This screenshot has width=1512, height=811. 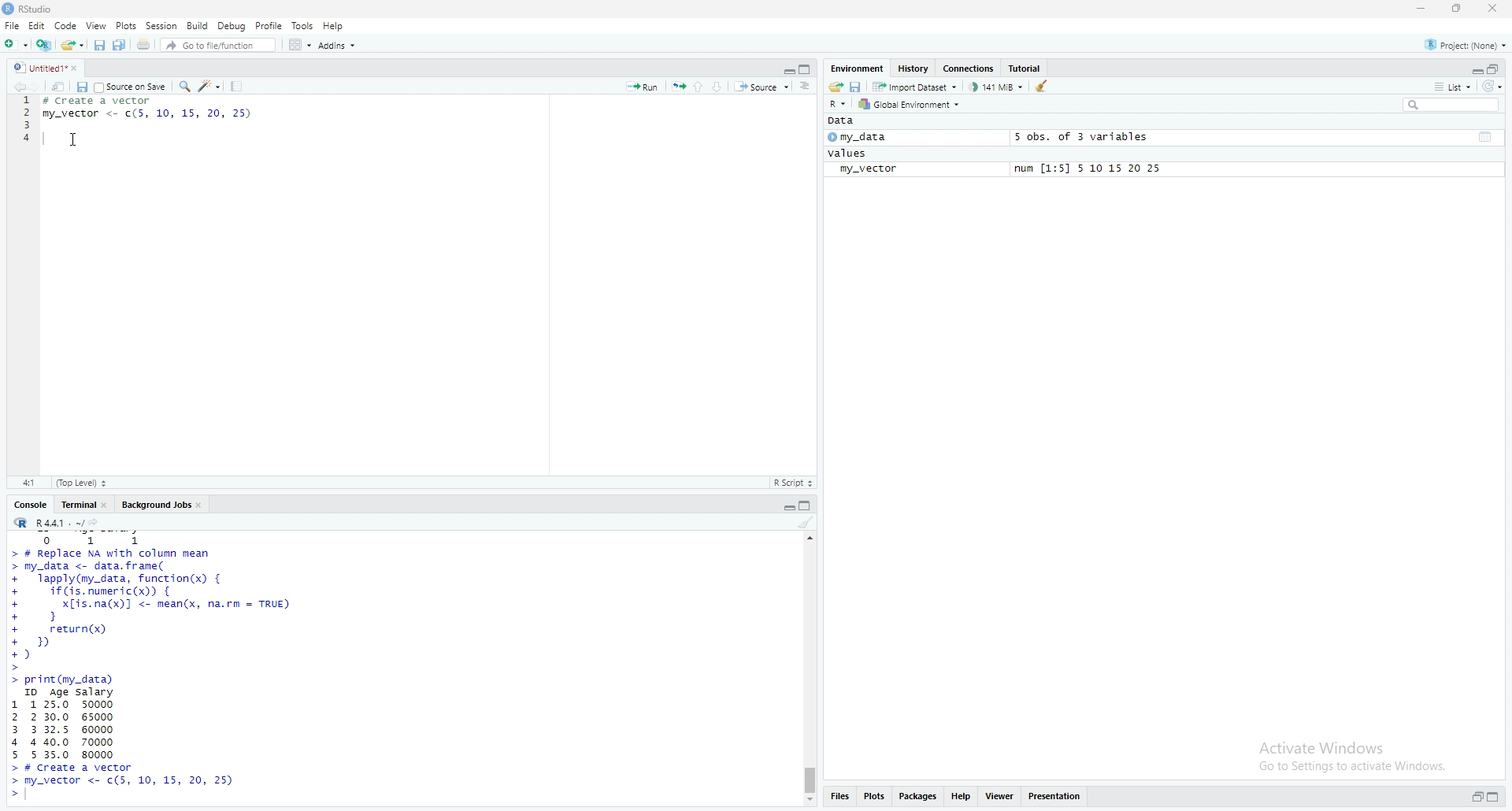 What do you see at coordinates (998, 87) in the screenshot?
I see `141 MB` at bounding box center [998, 87].